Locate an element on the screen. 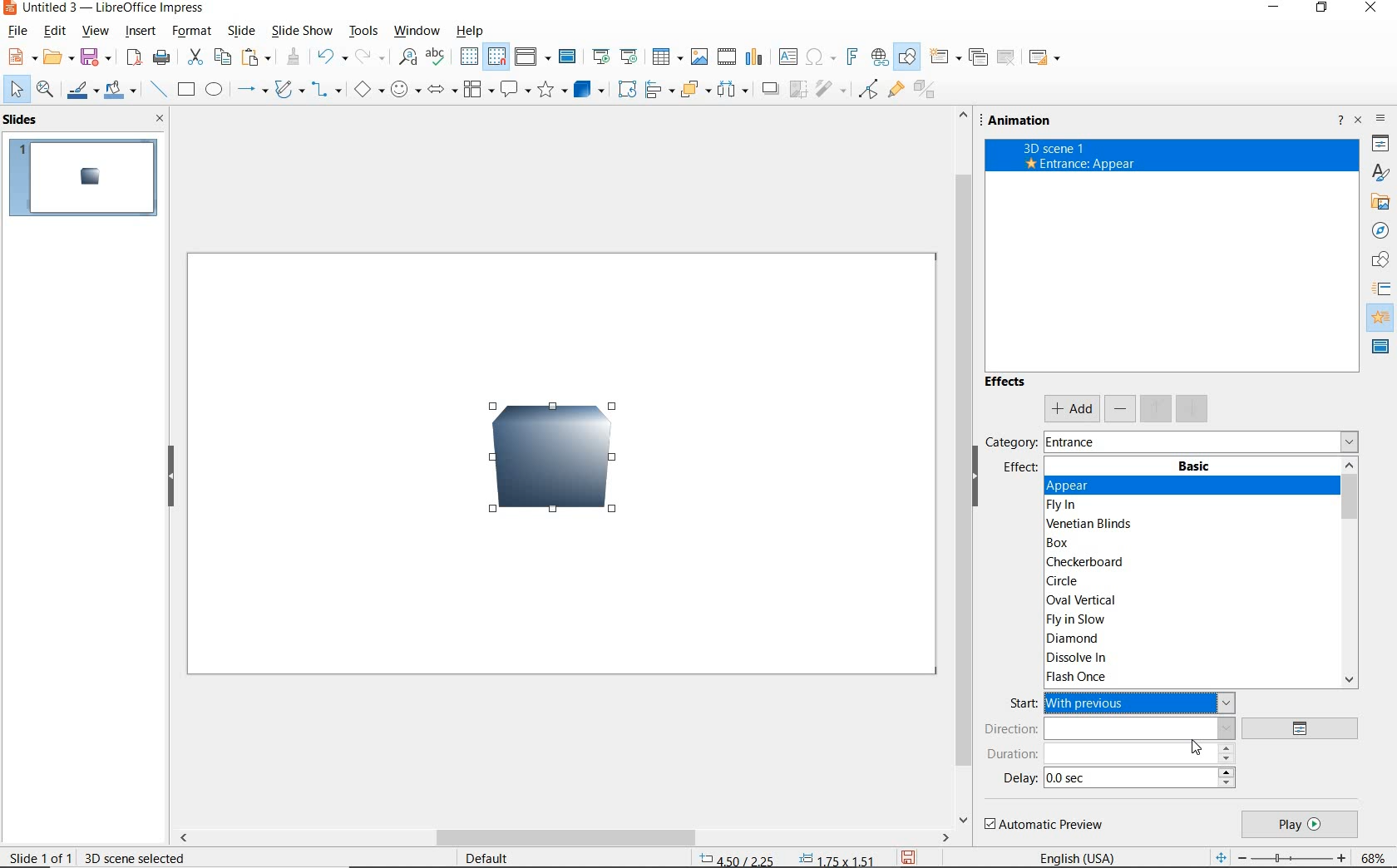 Image resolution: width=1397 pixels, height=868 pixels. cut is located at coordinates (196, 57).